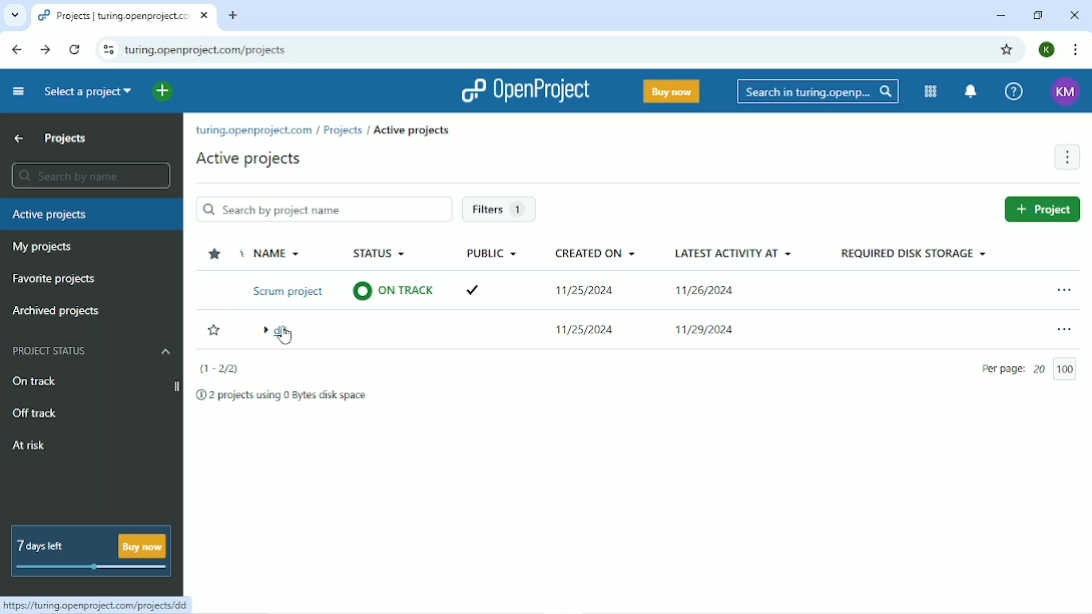 This screenshot has width=1092, height=614. Describe the element at coordinates (123, 15) in the screenshot. I see `Current tab` at that location.